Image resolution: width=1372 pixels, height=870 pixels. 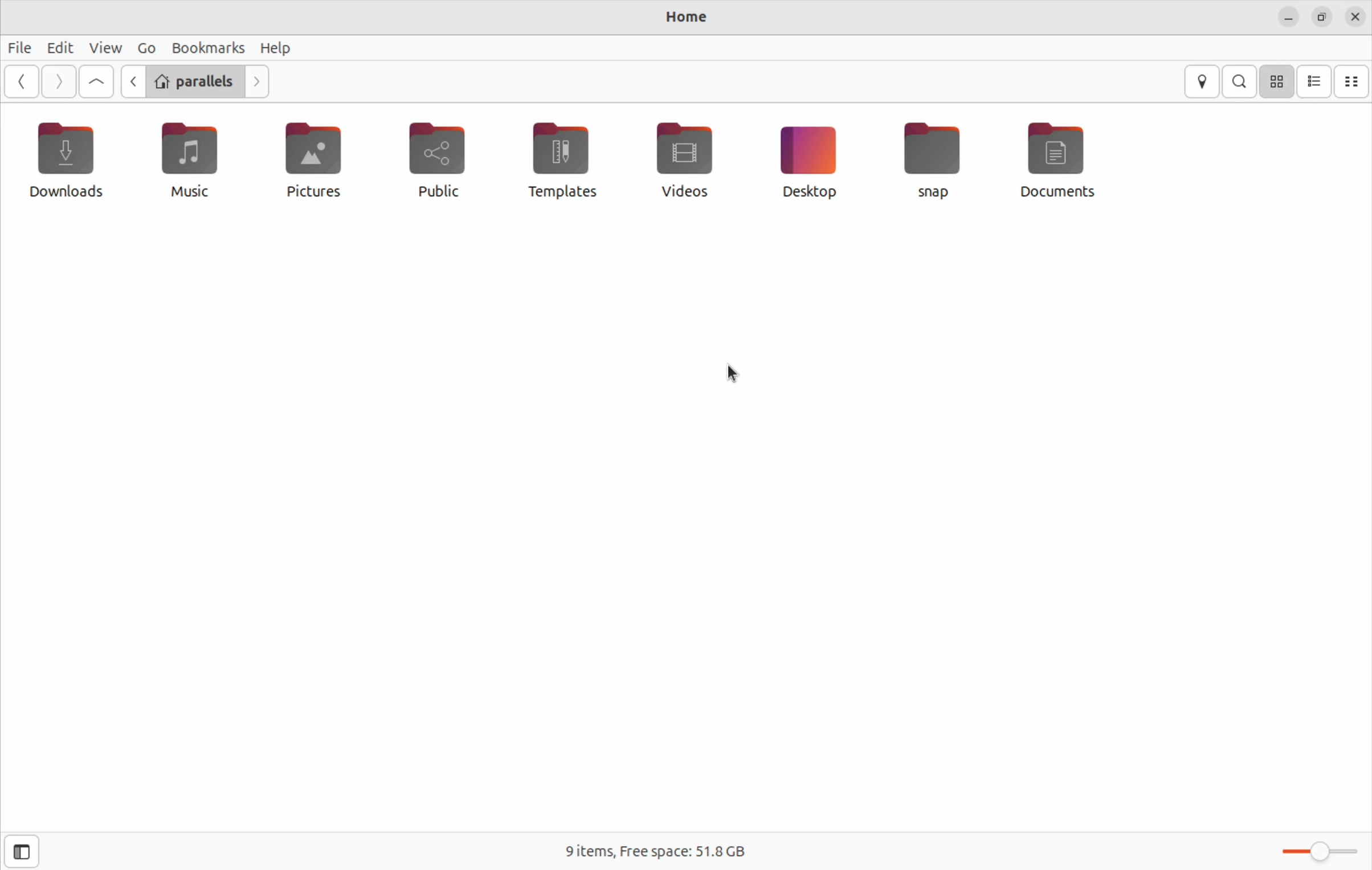 What do you see at coordinates (205, 47) in the screenshot?
I see `bookmark` at bounding box center [205, 47].